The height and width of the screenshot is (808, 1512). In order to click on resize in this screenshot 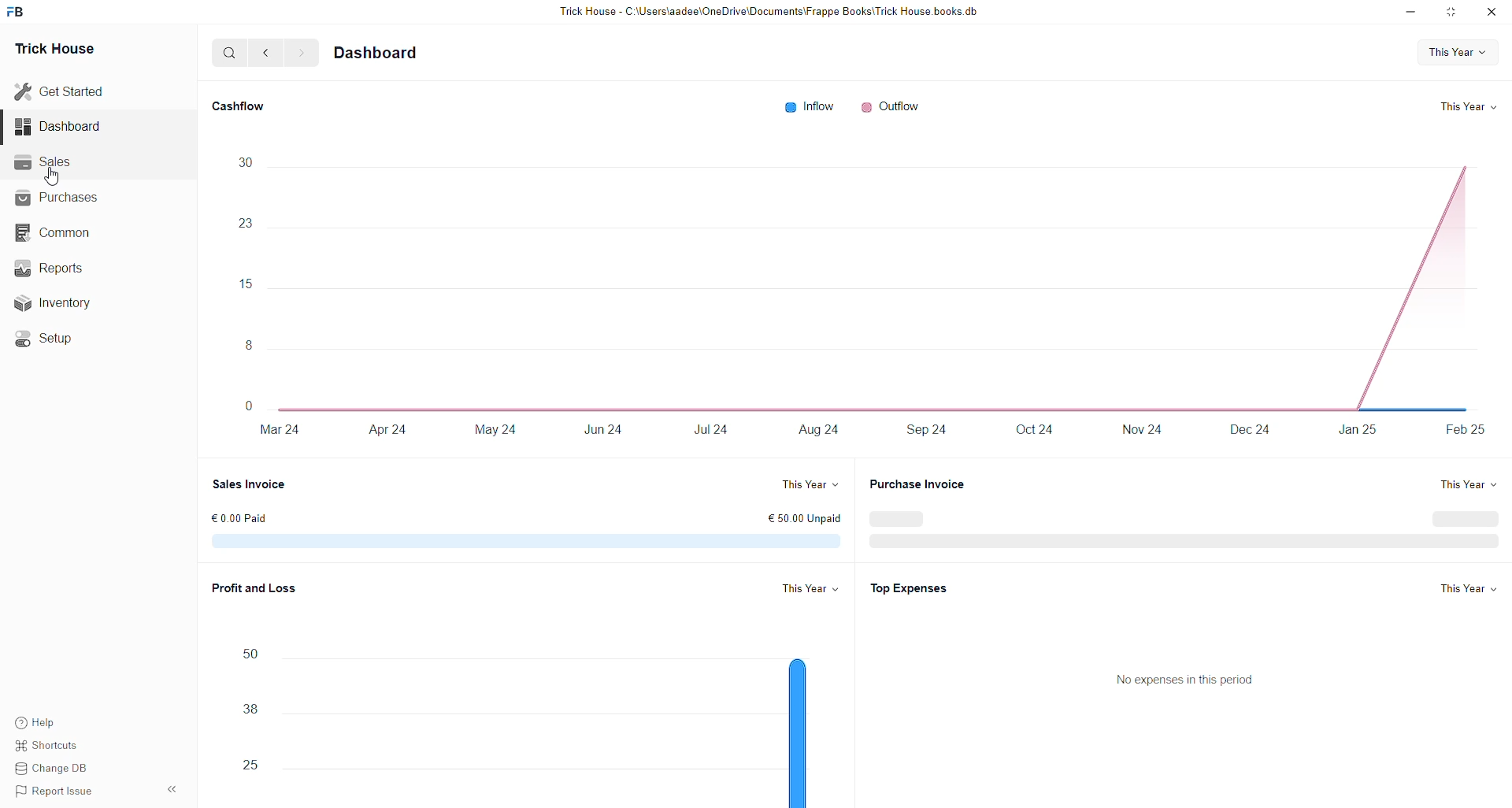, I will do `click(1452, 12)`.